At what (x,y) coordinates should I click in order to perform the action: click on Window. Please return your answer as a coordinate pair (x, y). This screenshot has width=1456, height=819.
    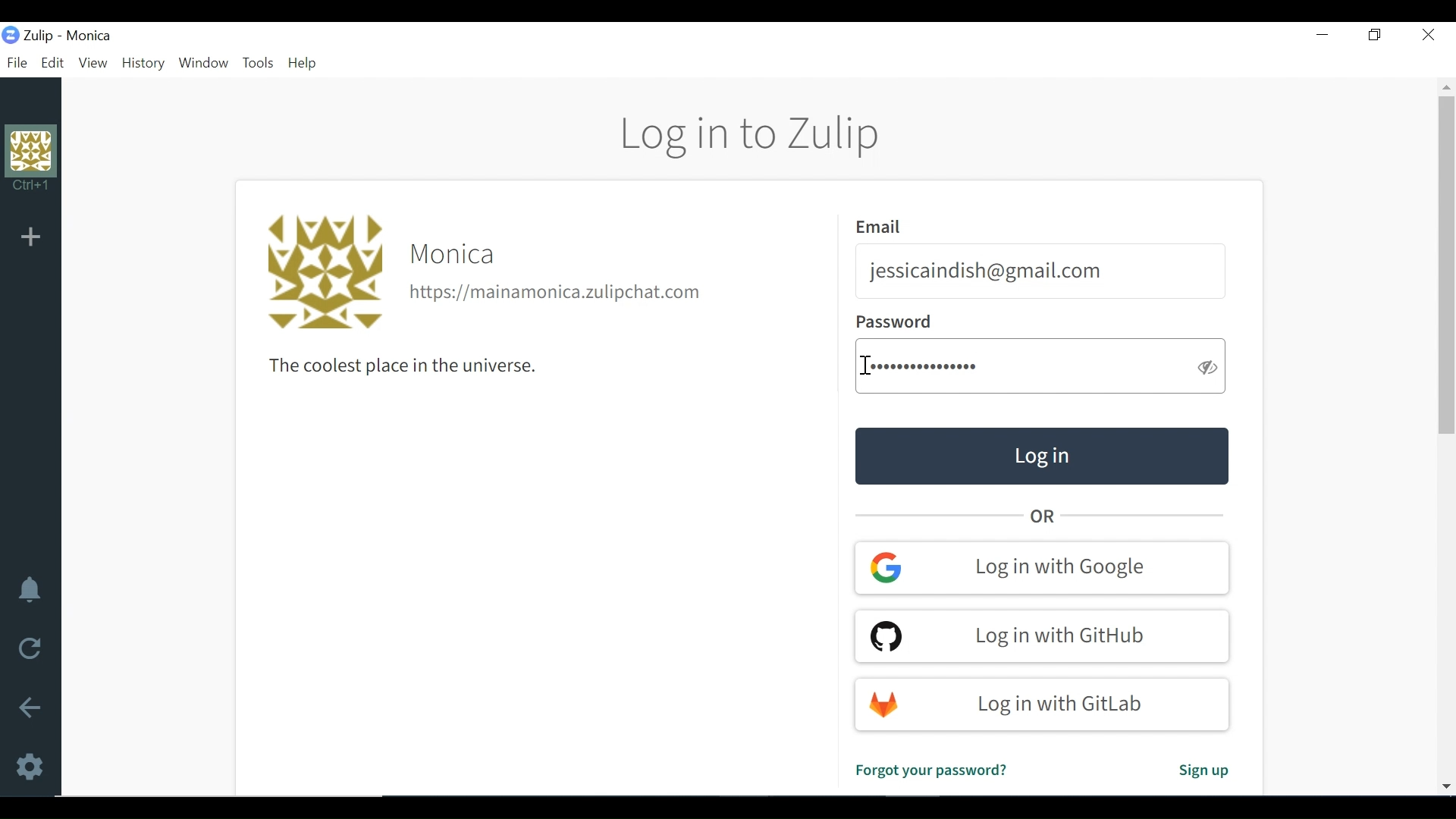
    Looking at the image, I should click on (206, 64).